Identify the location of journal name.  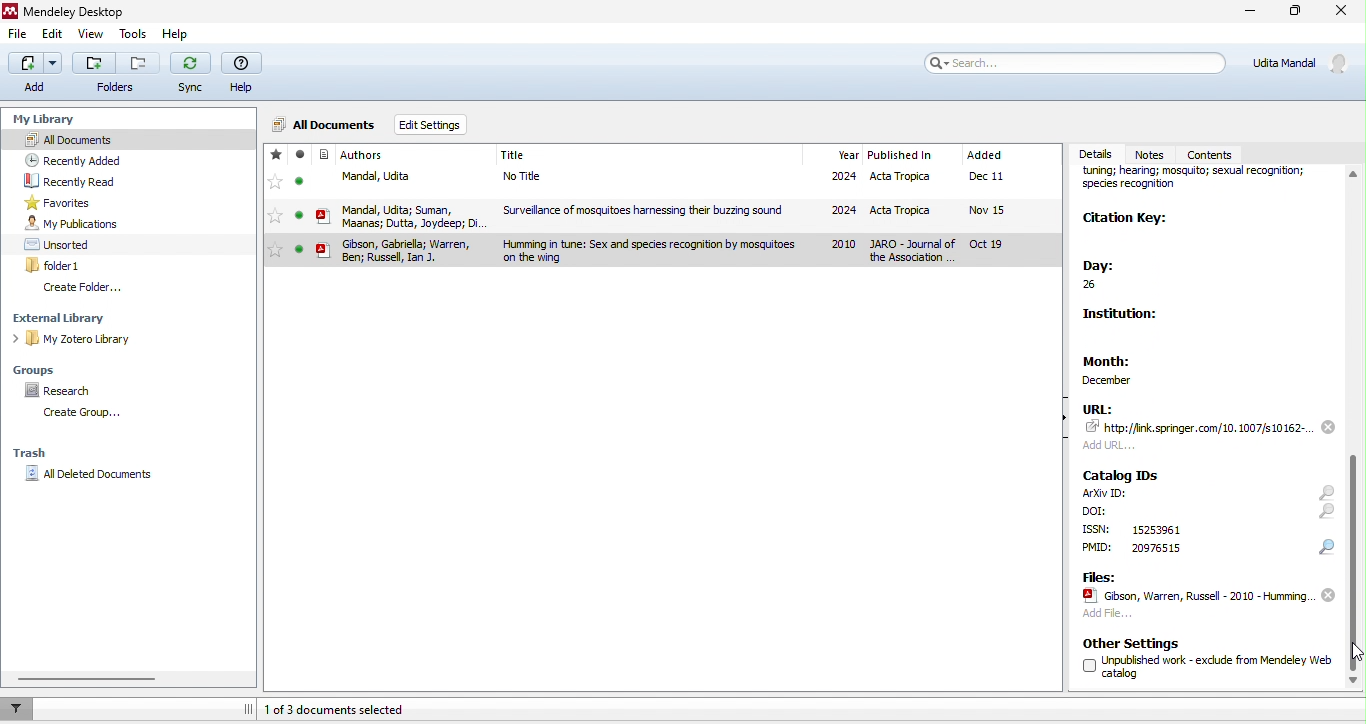
(1201, 185).